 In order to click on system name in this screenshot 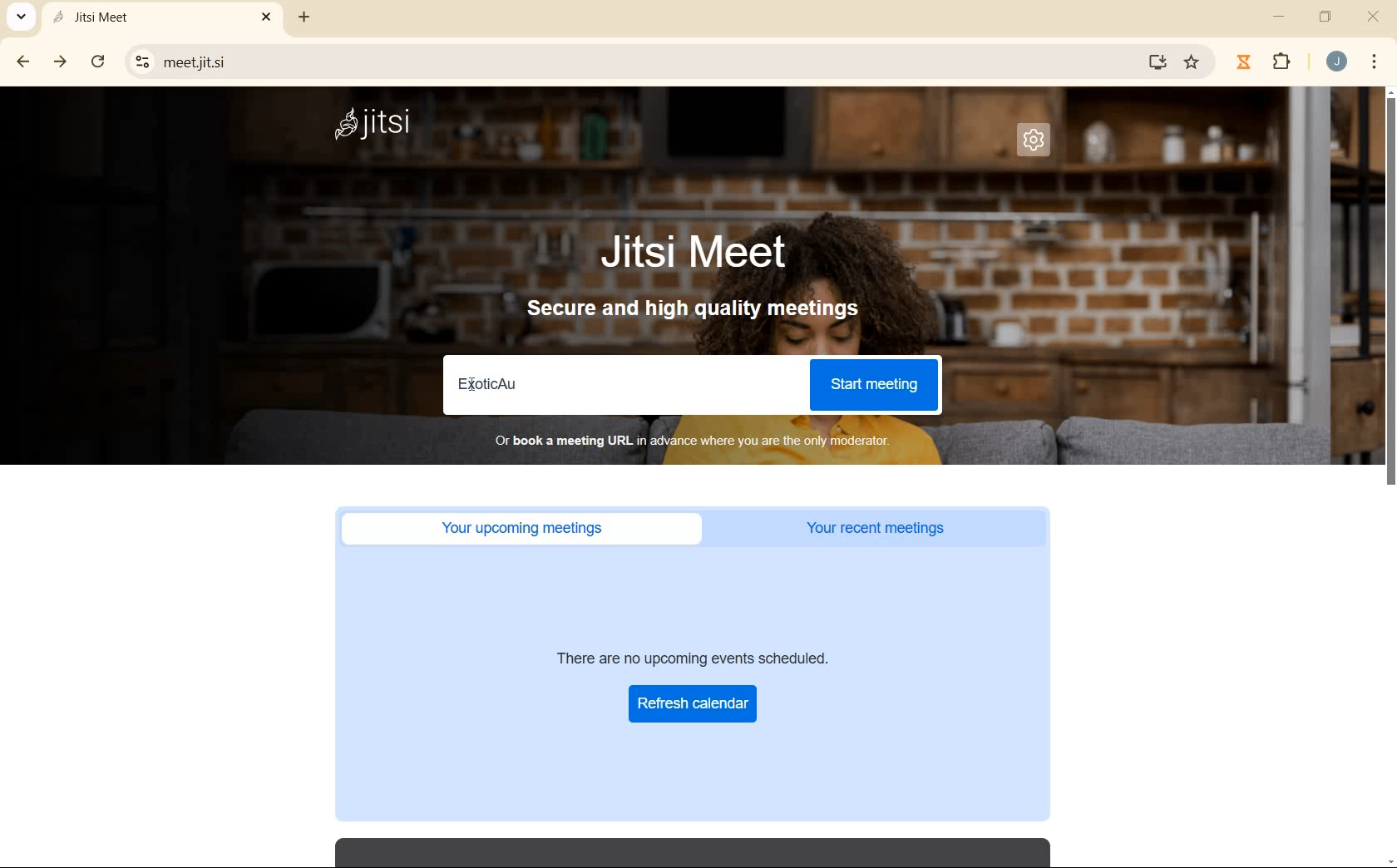, I will do `click(383, 126)`.